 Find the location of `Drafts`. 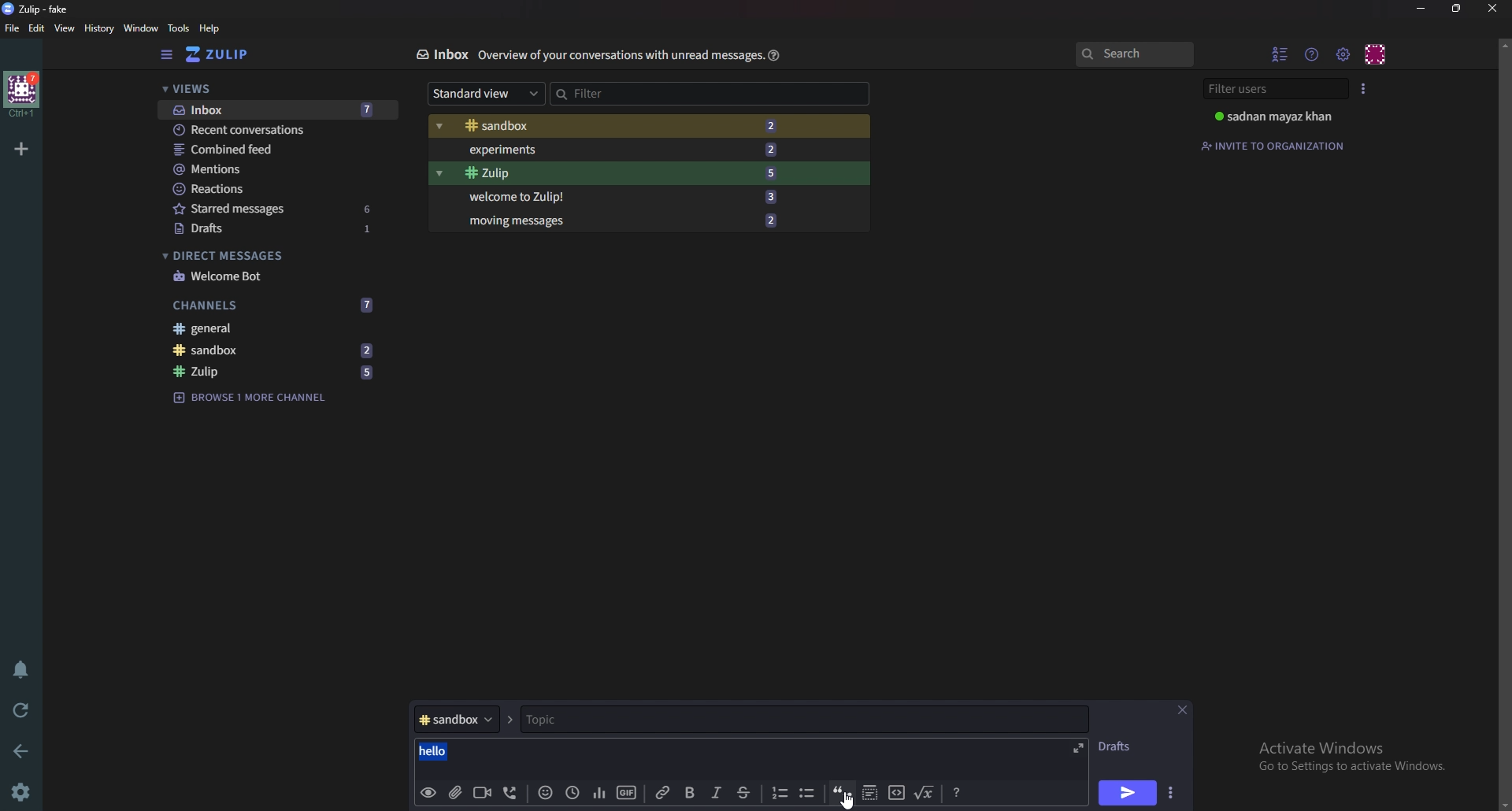

Drafts is located at coordinates (239, 229).